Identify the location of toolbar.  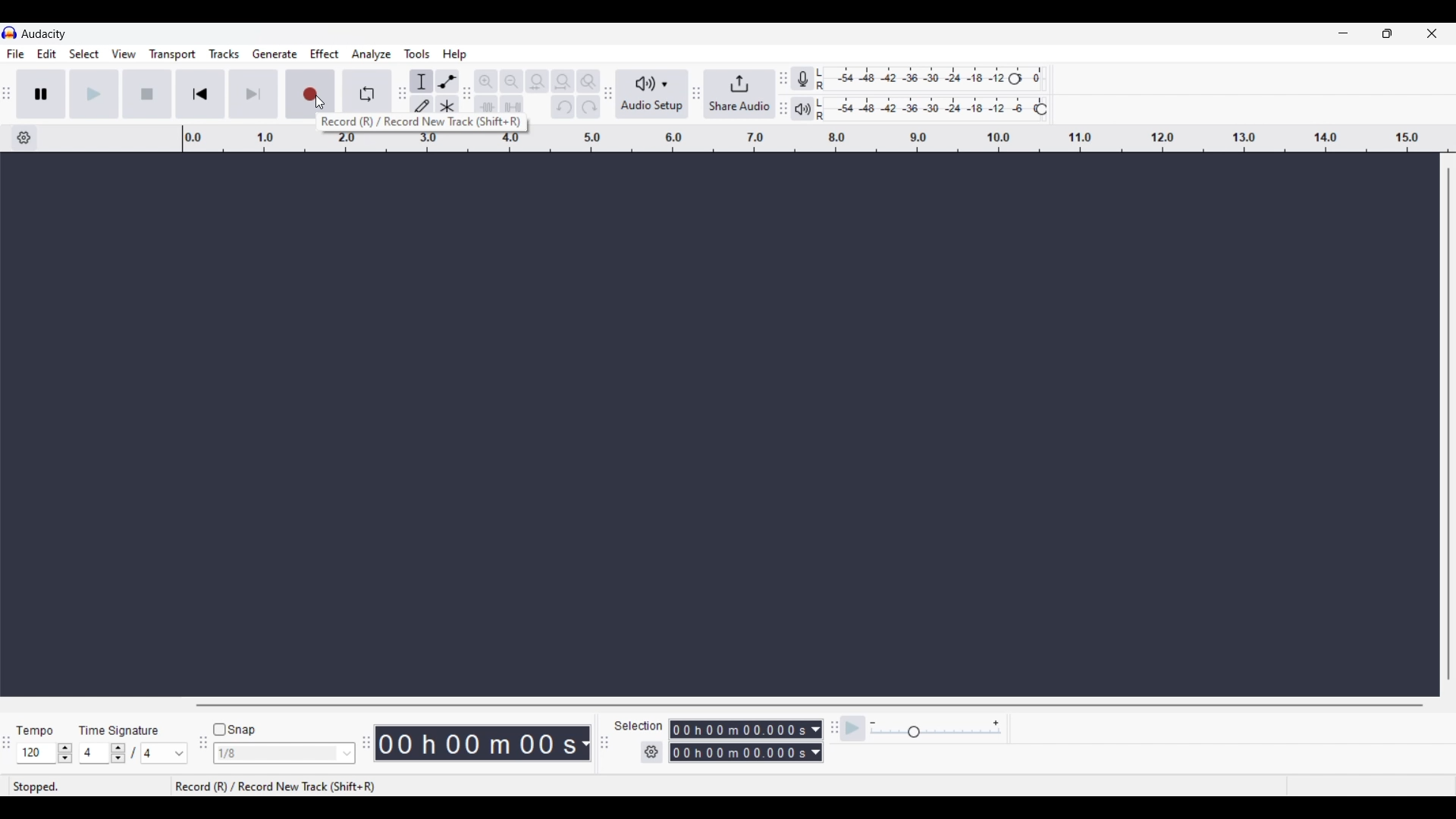
(607, 745).